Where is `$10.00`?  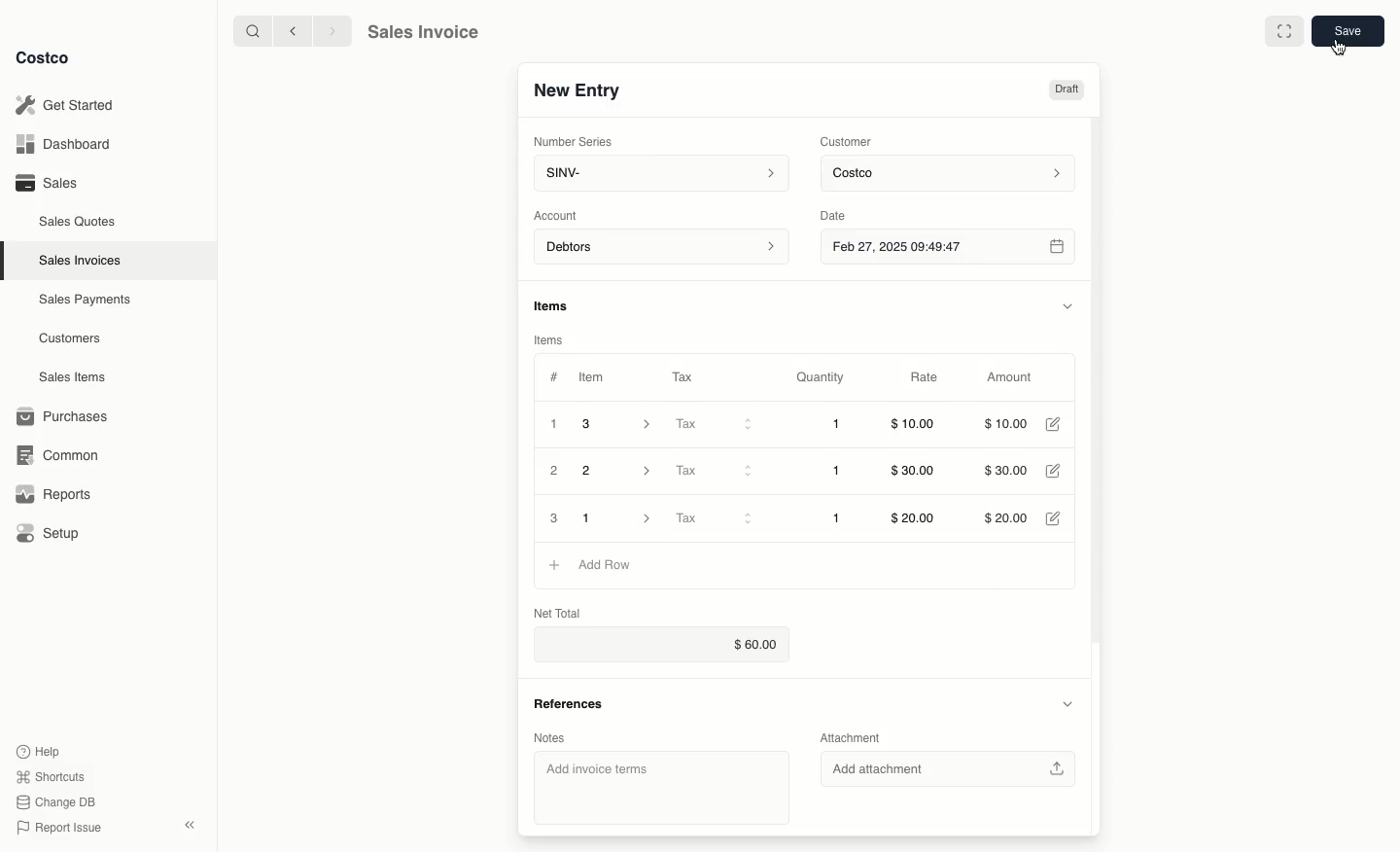 $10.00 is located at coordinates (1010, 423).